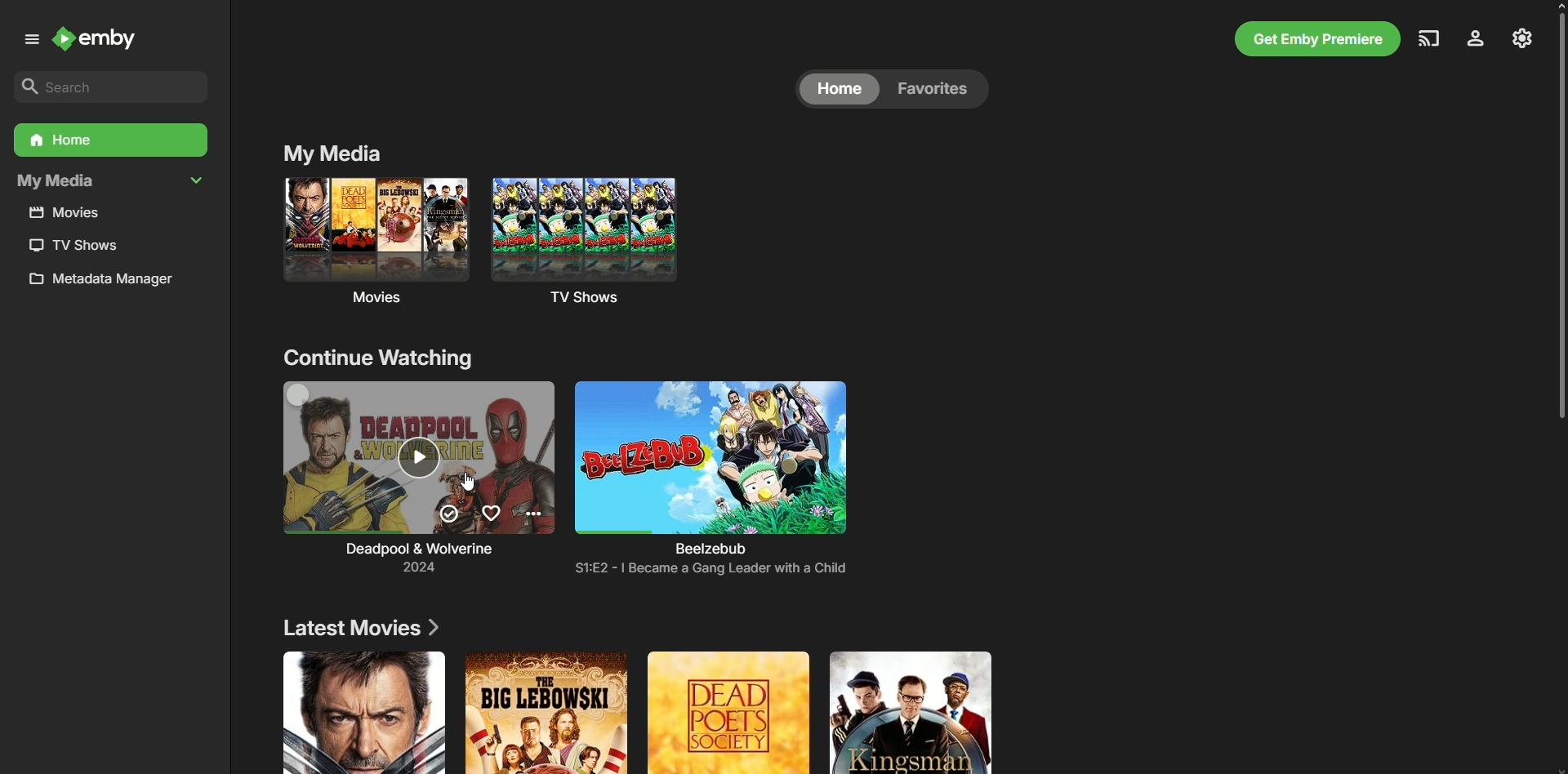 Image resolution: width=1568 pixels, height=774 pixels. Describe the element at coordinates (28, 39) in the screenshot. I see `Menu` at that location.